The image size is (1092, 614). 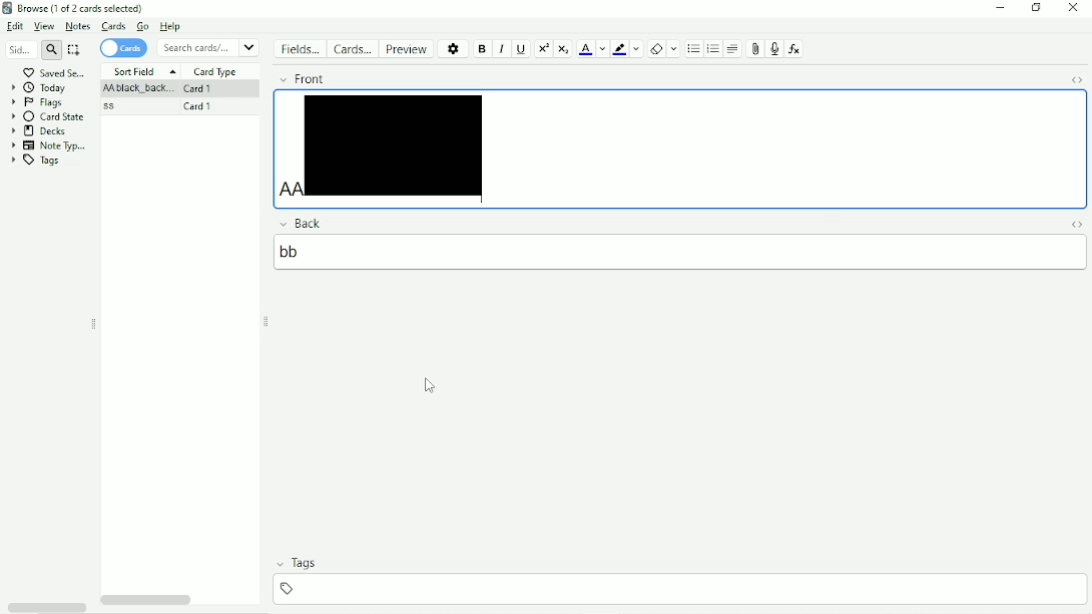 I want to click on Sort Field, so click(x=146, y=70).